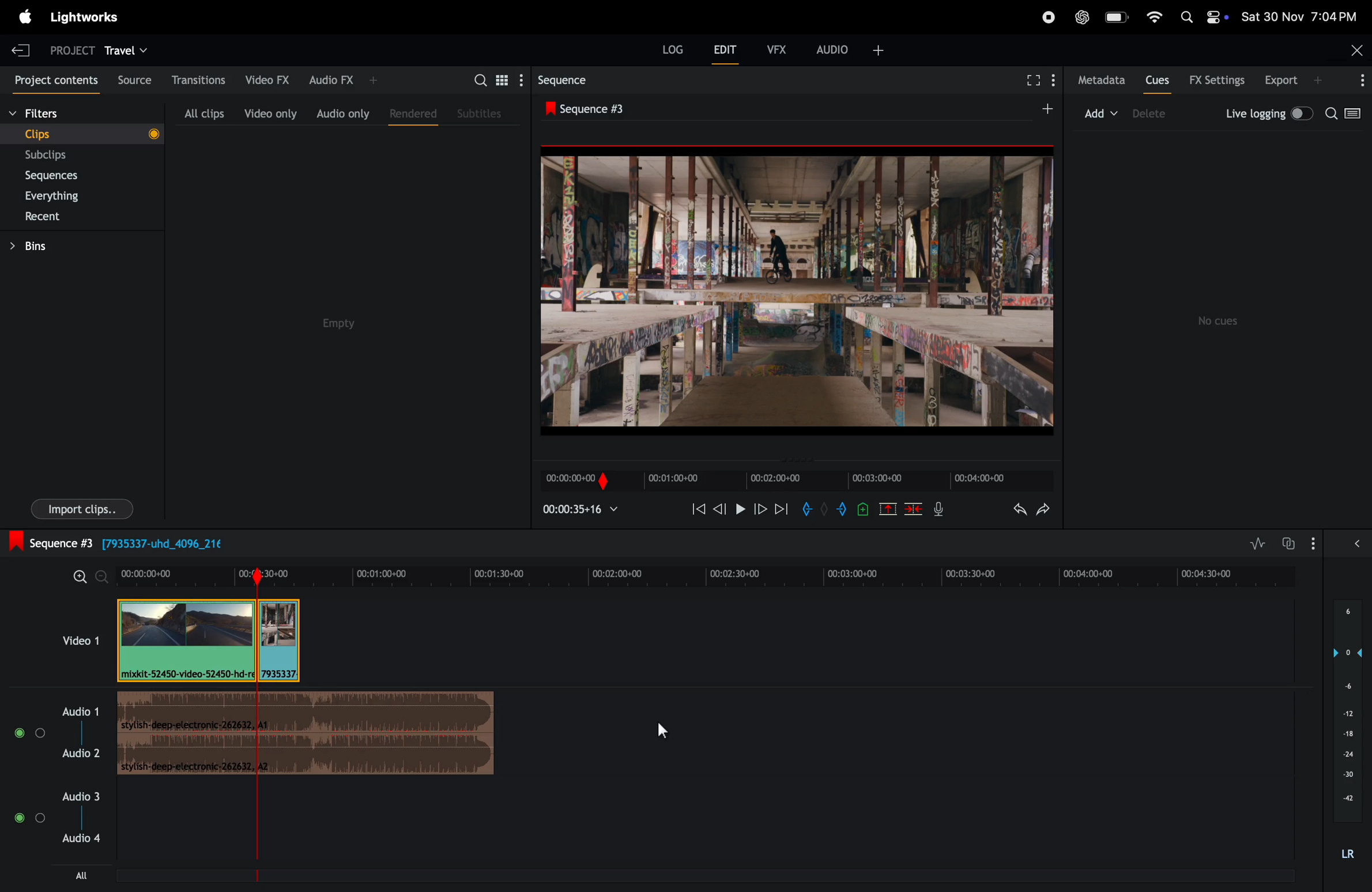  I want to click on Audio, so click(30, 734).